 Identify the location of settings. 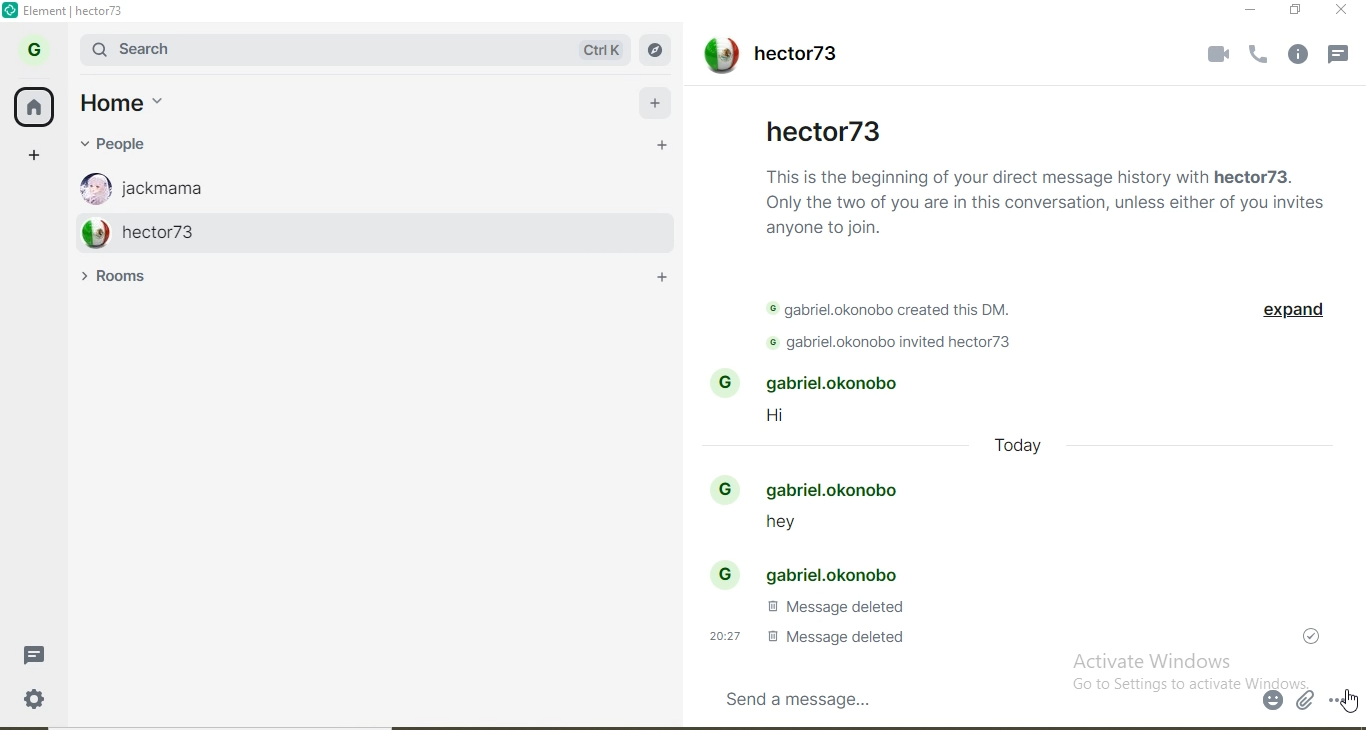
(46, 704).